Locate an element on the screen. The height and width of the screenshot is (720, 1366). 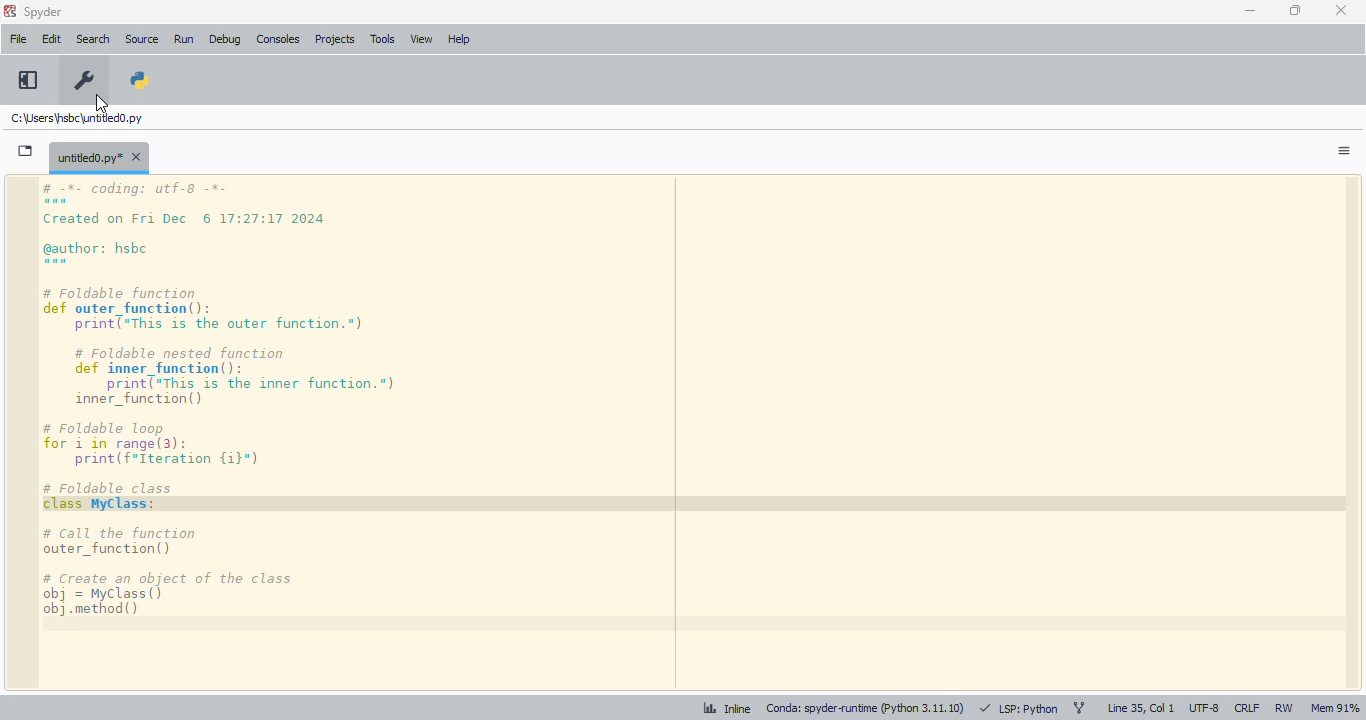
conda: spyder-runtime (python 3. 11. 10) is located at coordinates (865, 709).